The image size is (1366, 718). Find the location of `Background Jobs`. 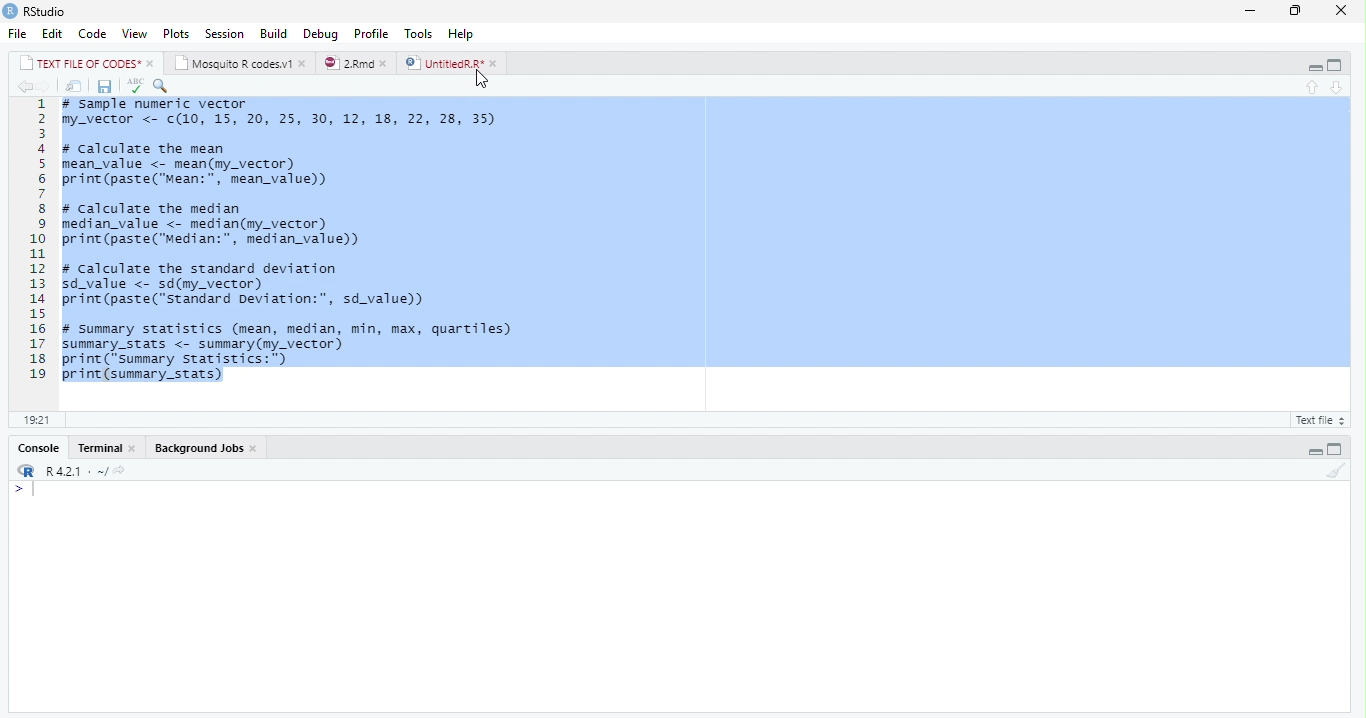

Background Jobs is located at coordinates (199, 448).